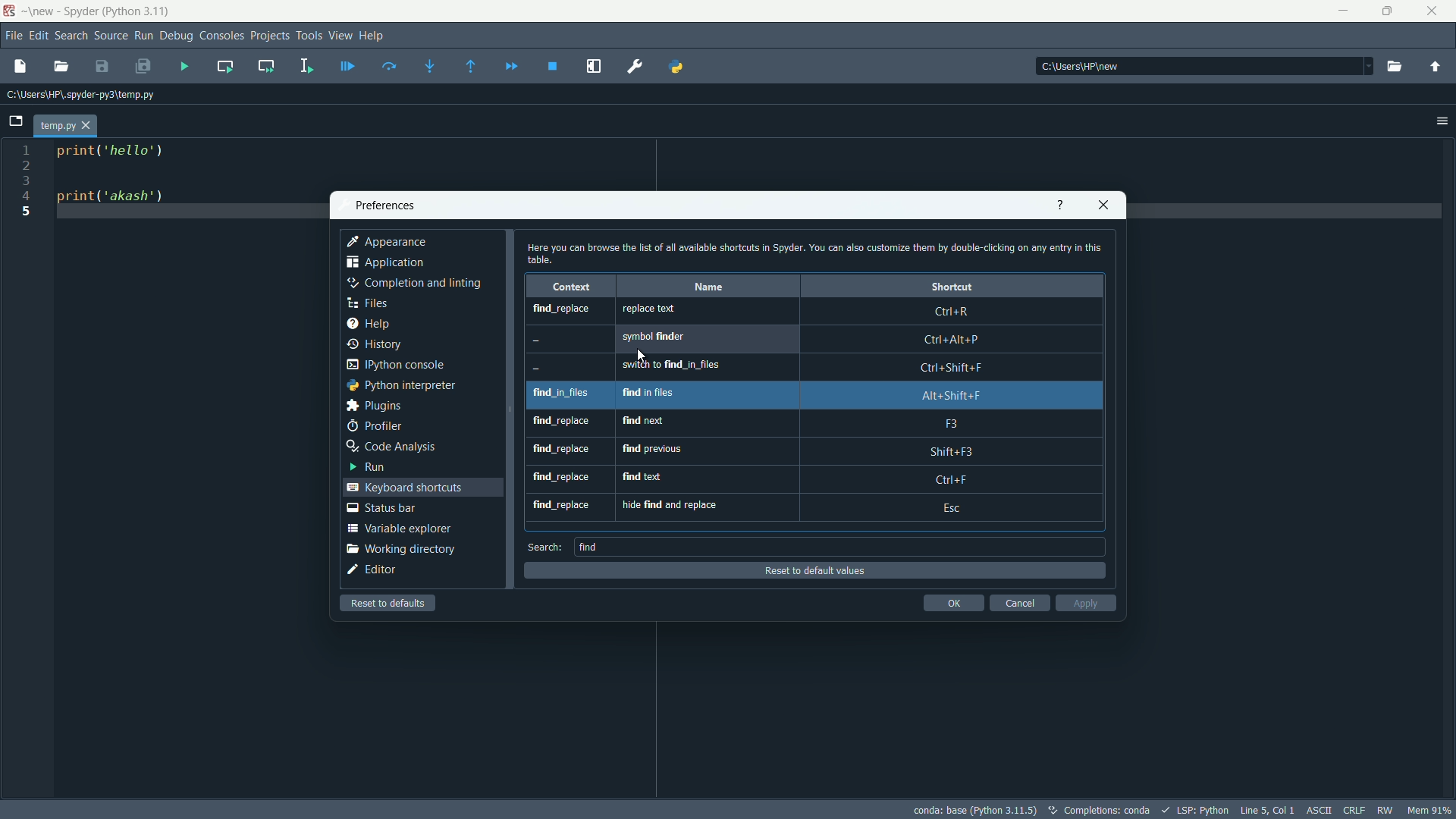 Image resolution: width=1456 pixels, height=819 pixels. What do you see at coordinates (377, 321) in the screenshot?
I see `help` at bounding box center [377, 321].